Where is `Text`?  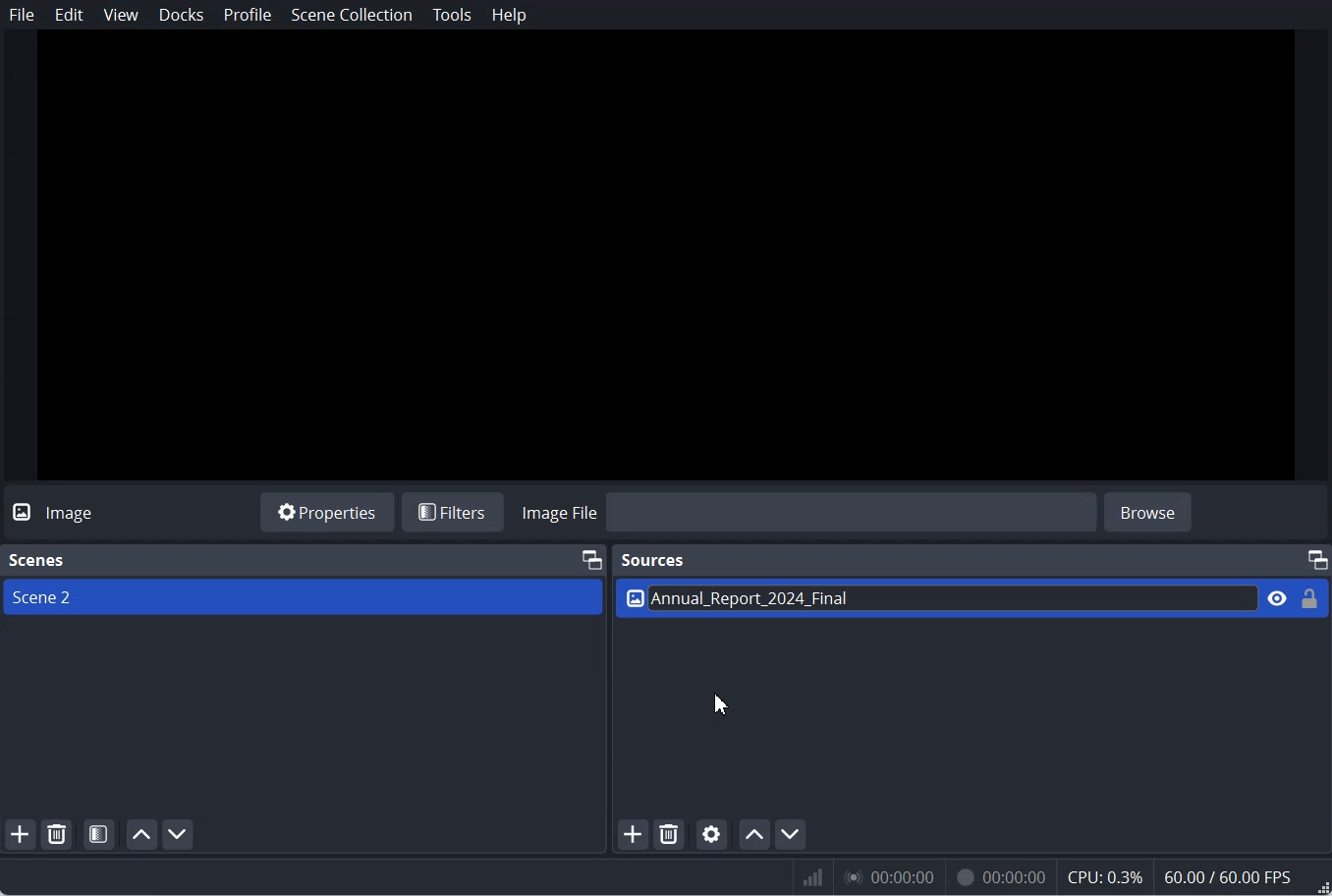 Text is located at coordinates (37, 561).